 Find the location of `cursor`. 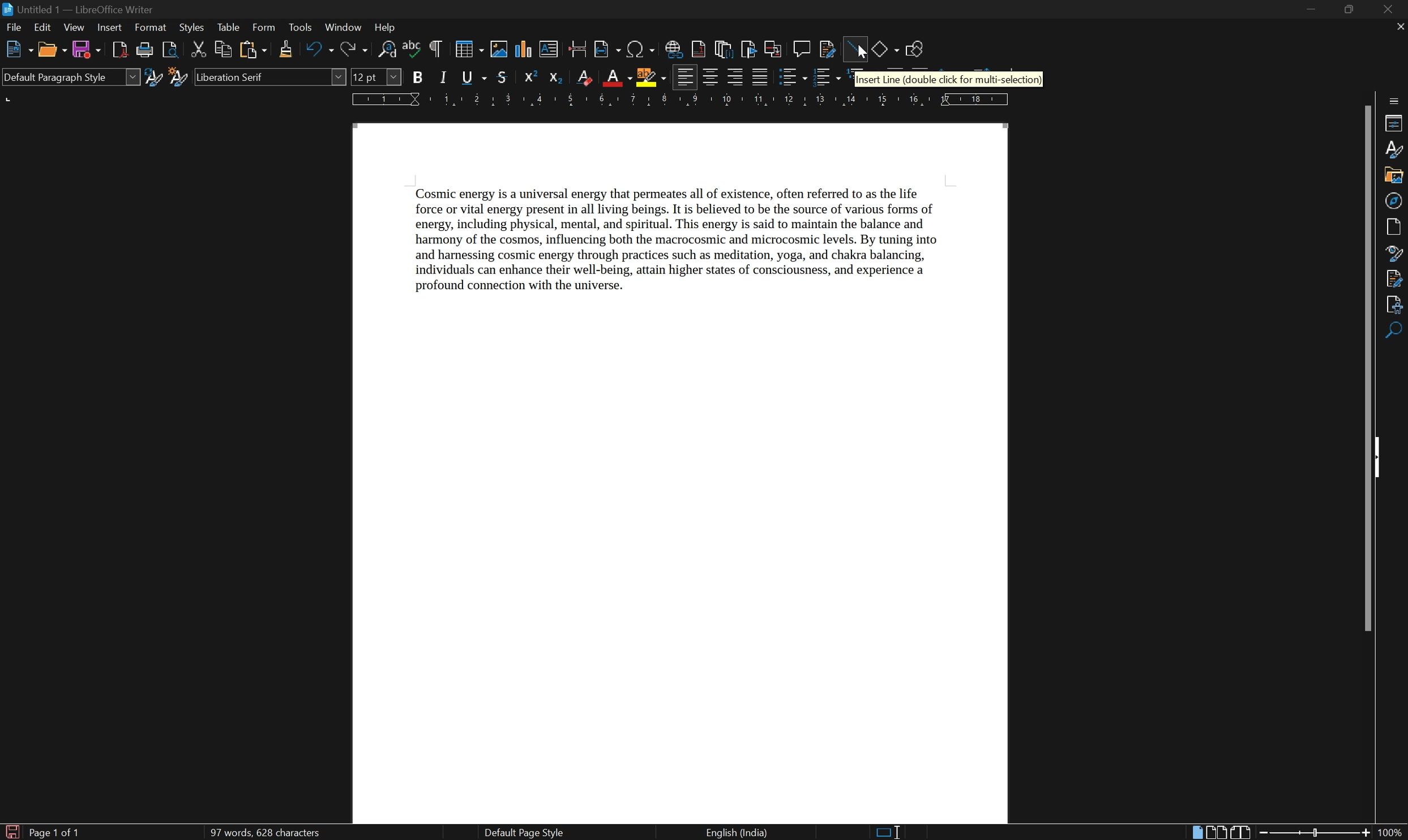

cursor is located at coordinates (865, 57).